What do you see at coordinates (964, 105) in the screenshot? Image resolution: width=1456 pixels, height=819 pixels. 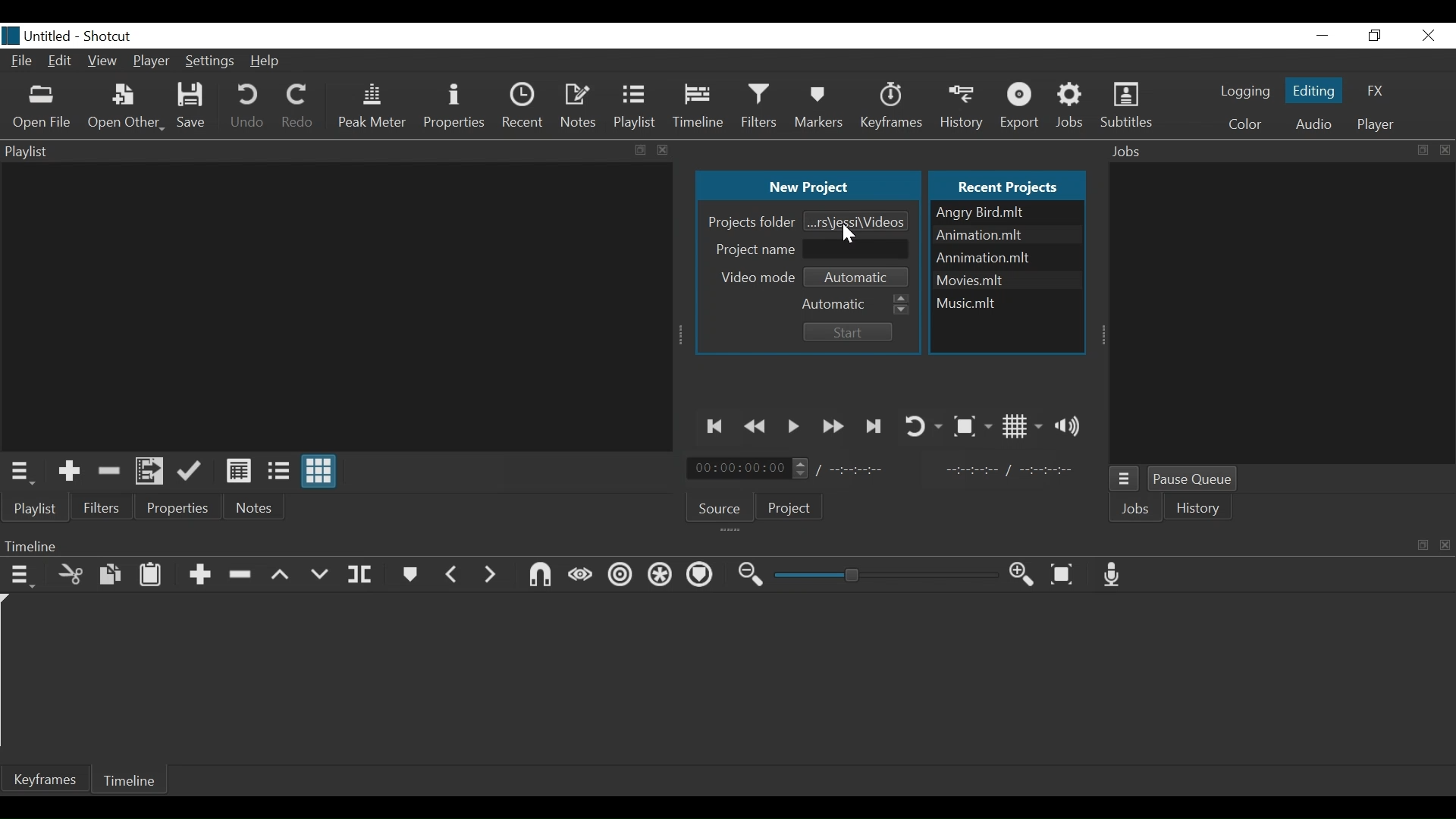 I see `History` at bounding box center [964, 105].